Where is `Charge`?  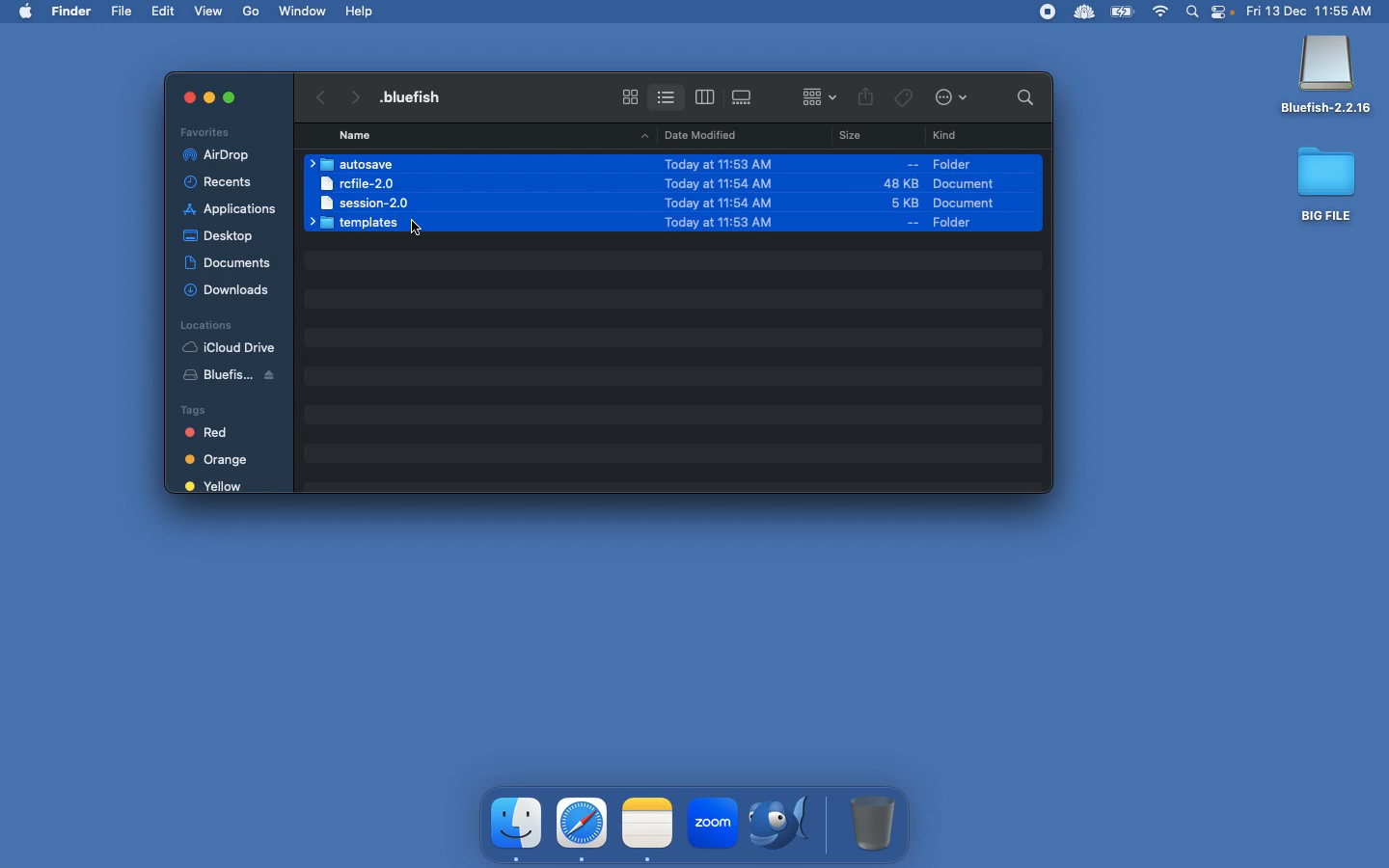
Charge is located at coordinates (1122, 14).